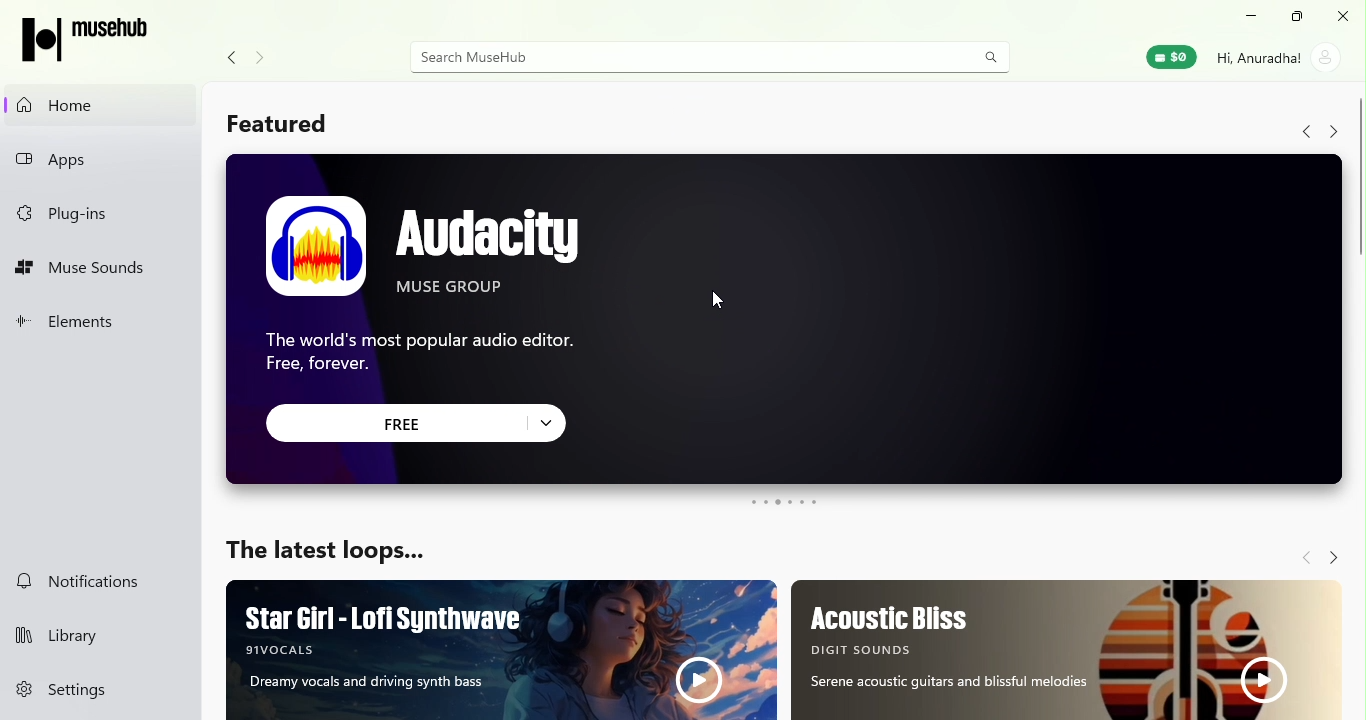 The height and width of the screenshot is (720, 1366). I want to click on cursor, so click(713, 296).